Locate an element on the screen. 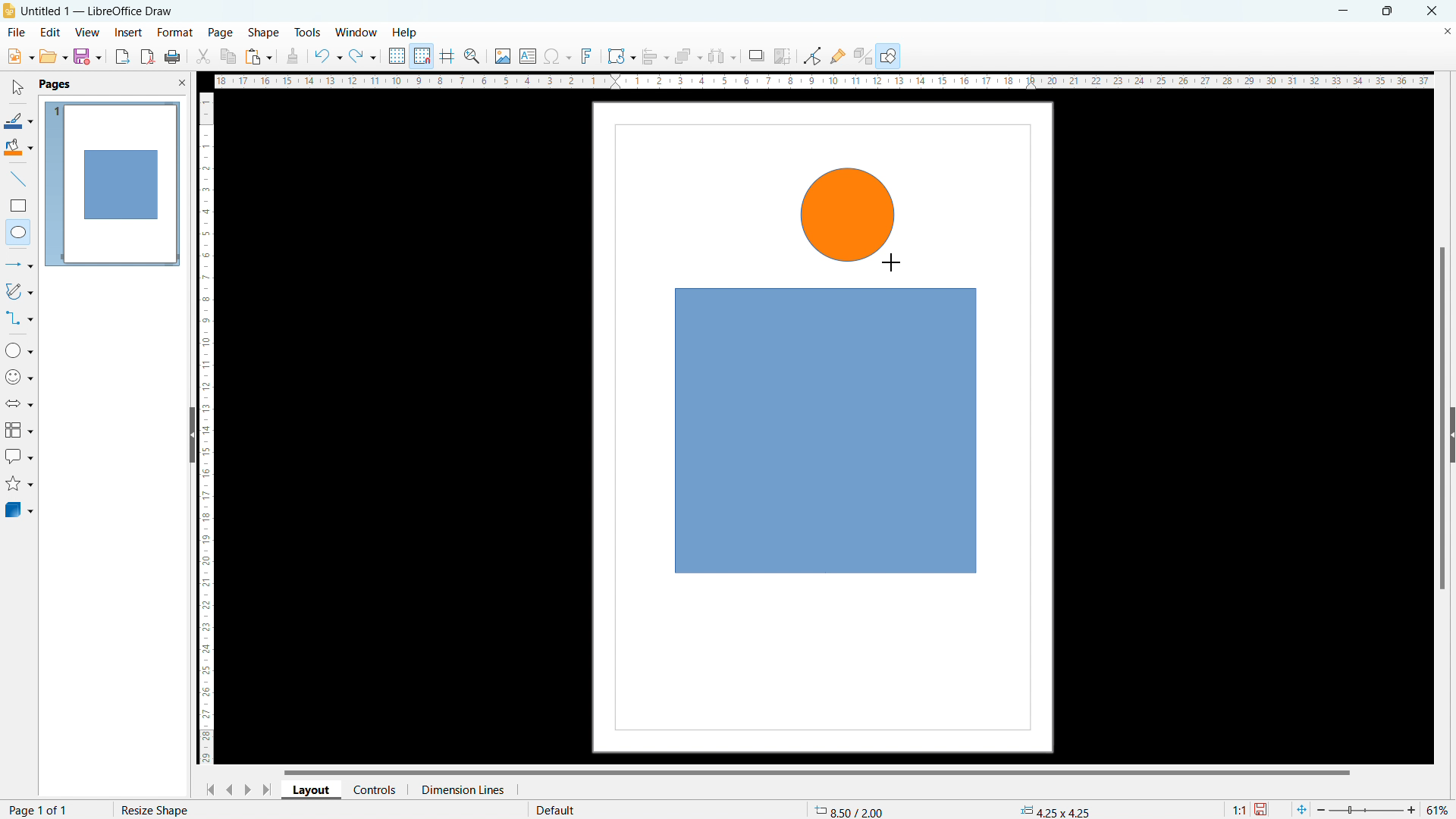 This screenshot has height=819, width=1456. edit is located at coordinates (51, 31).